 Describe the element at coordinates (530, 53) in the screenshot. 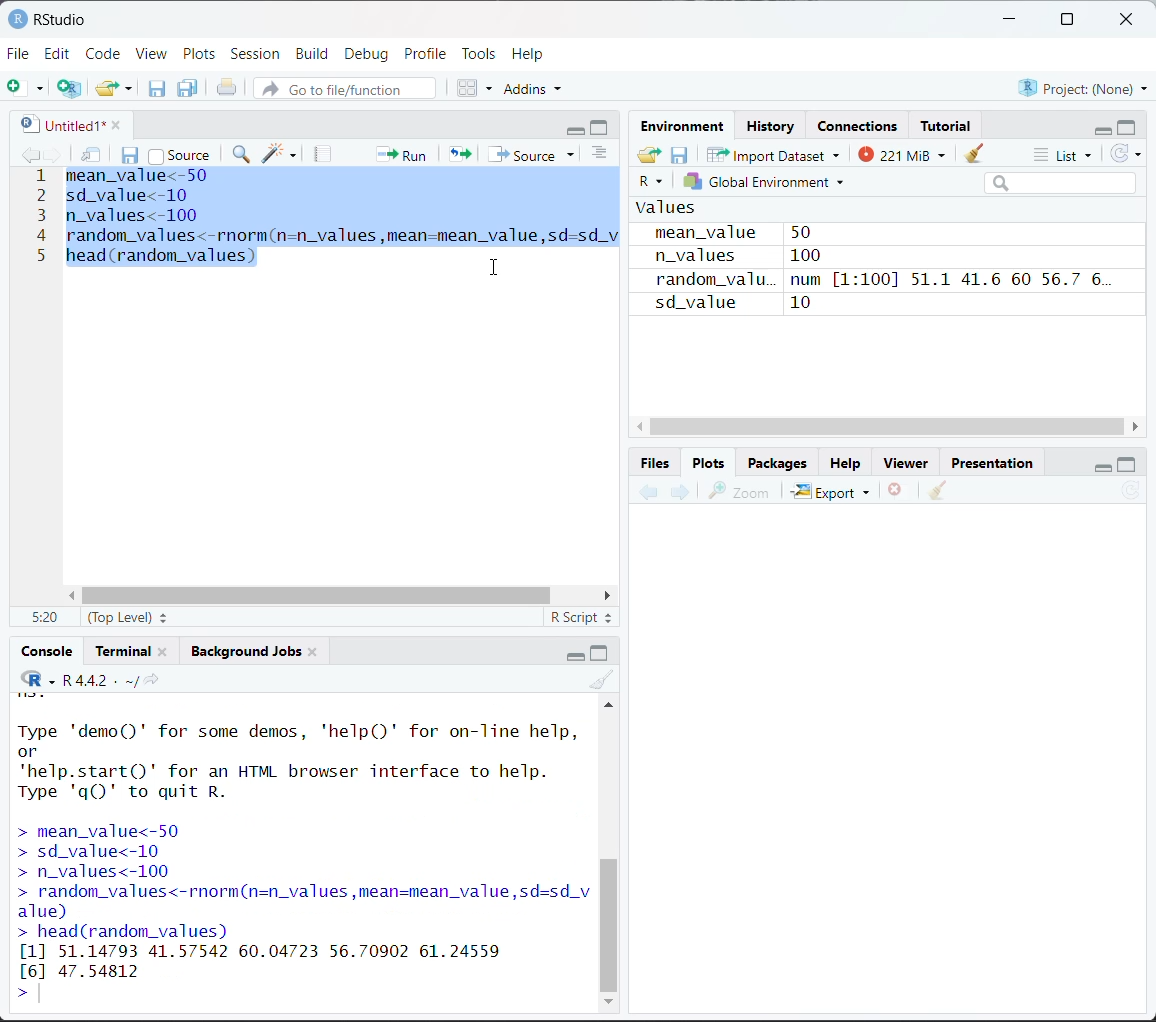

I see `Help` at that location.